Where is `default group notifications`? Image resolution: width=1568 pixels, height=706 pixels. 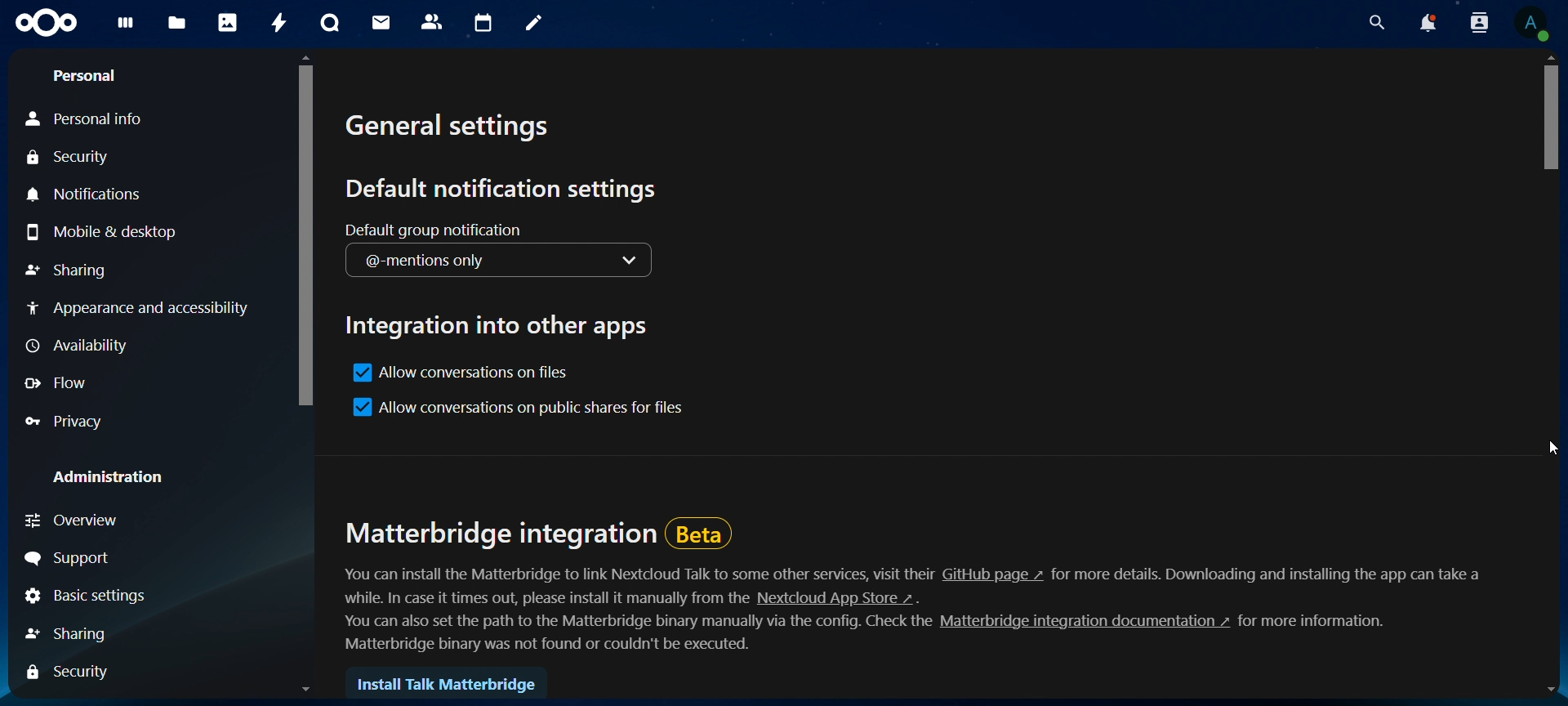 default group notifications is located at coordinates (437, 234).